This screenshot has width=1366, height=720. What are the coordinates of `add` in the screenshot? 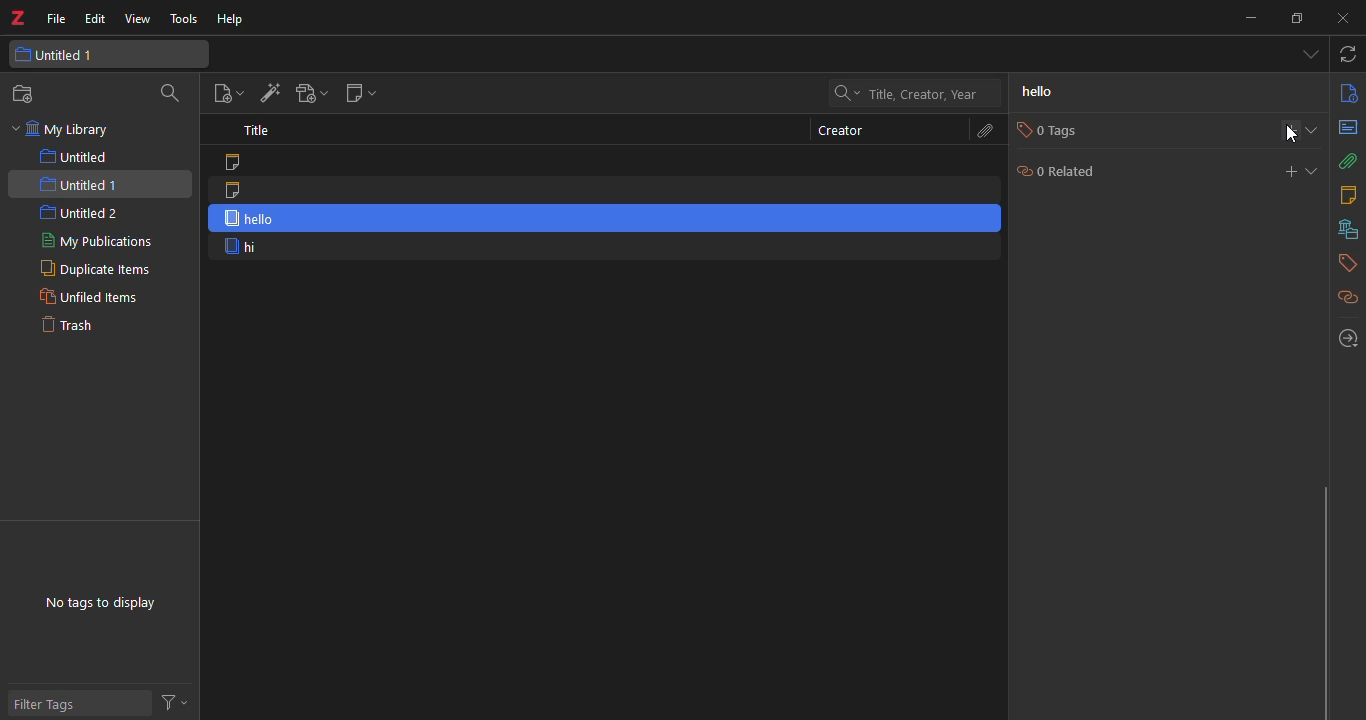 It's located at (1290, 128).